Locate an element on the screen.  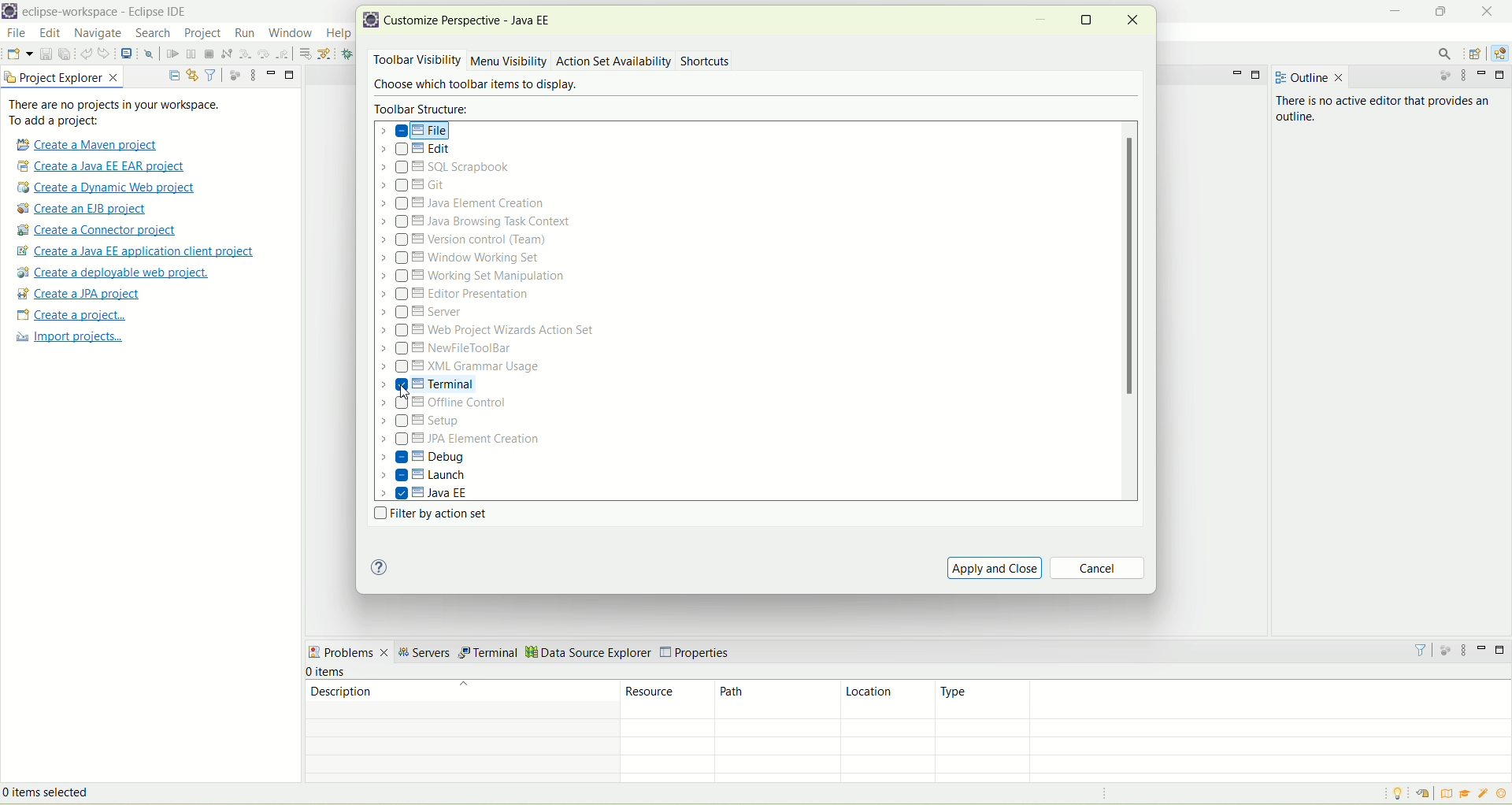
navigate is located at coordinates (98, 35).